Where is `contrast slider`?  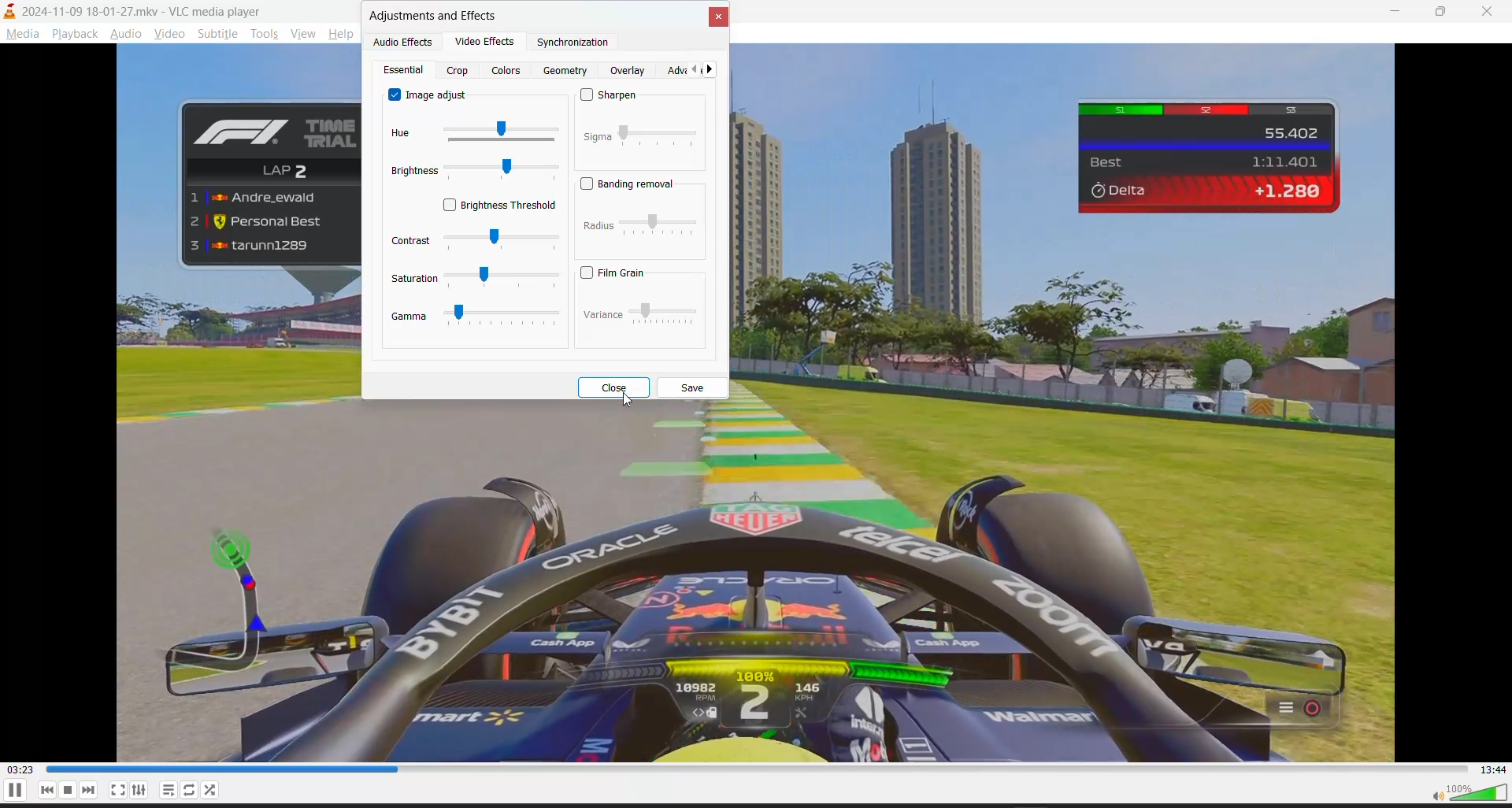
contrast slider is located at coordinates (503, 242).